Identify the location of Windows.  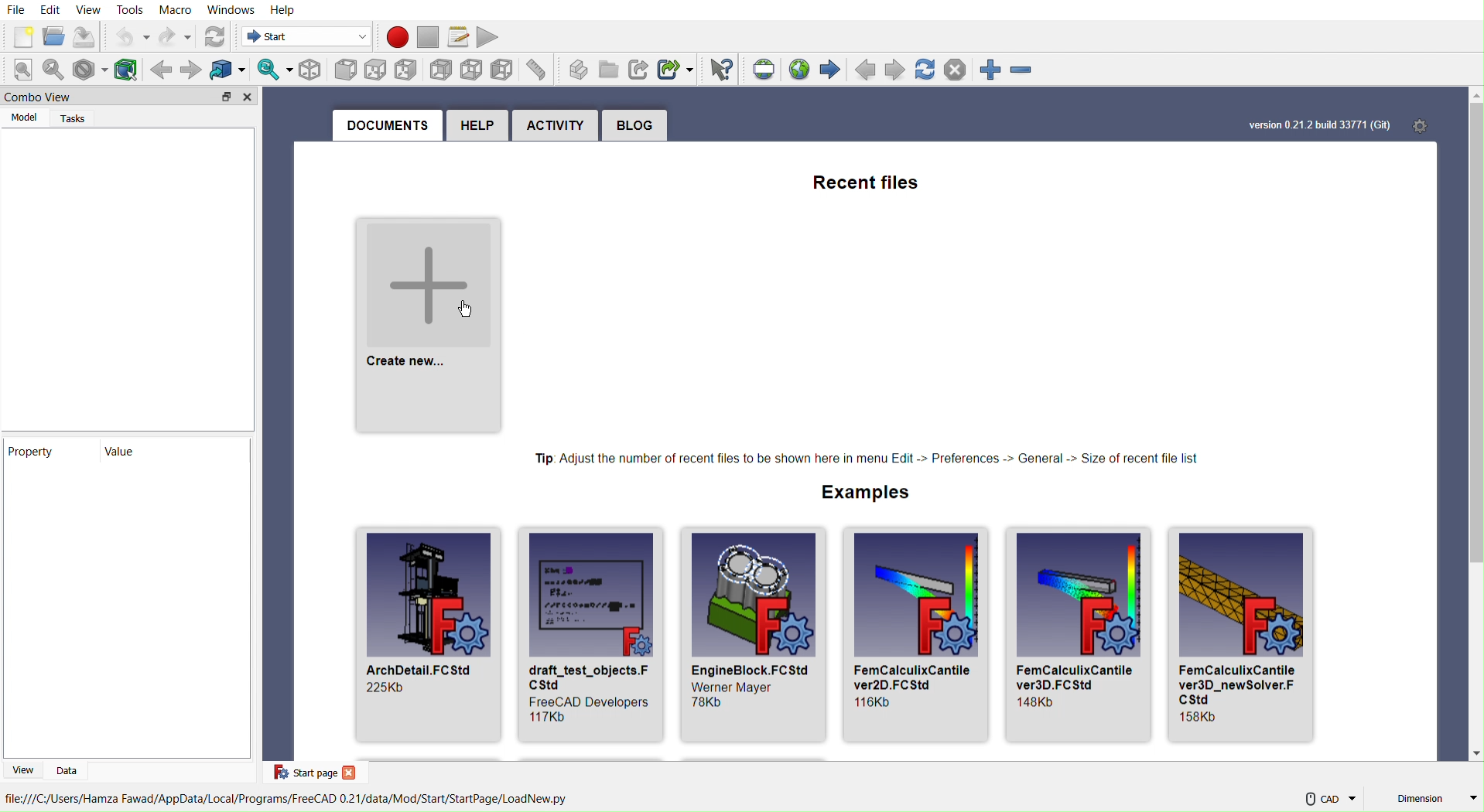
(232, 11).